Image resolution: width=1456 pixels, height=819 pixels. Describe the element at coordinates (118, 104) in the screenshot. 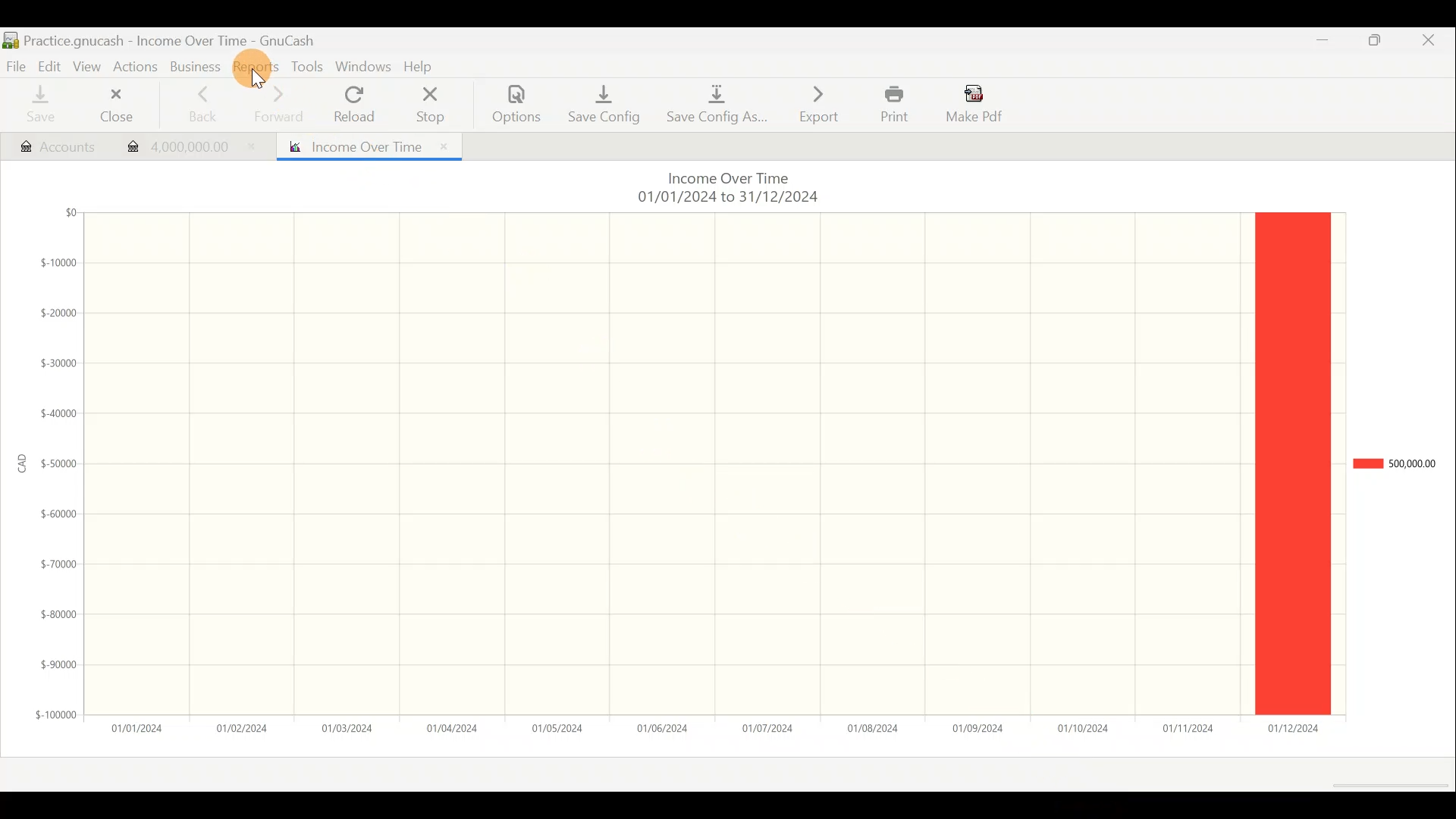

I see `Close` at that location.